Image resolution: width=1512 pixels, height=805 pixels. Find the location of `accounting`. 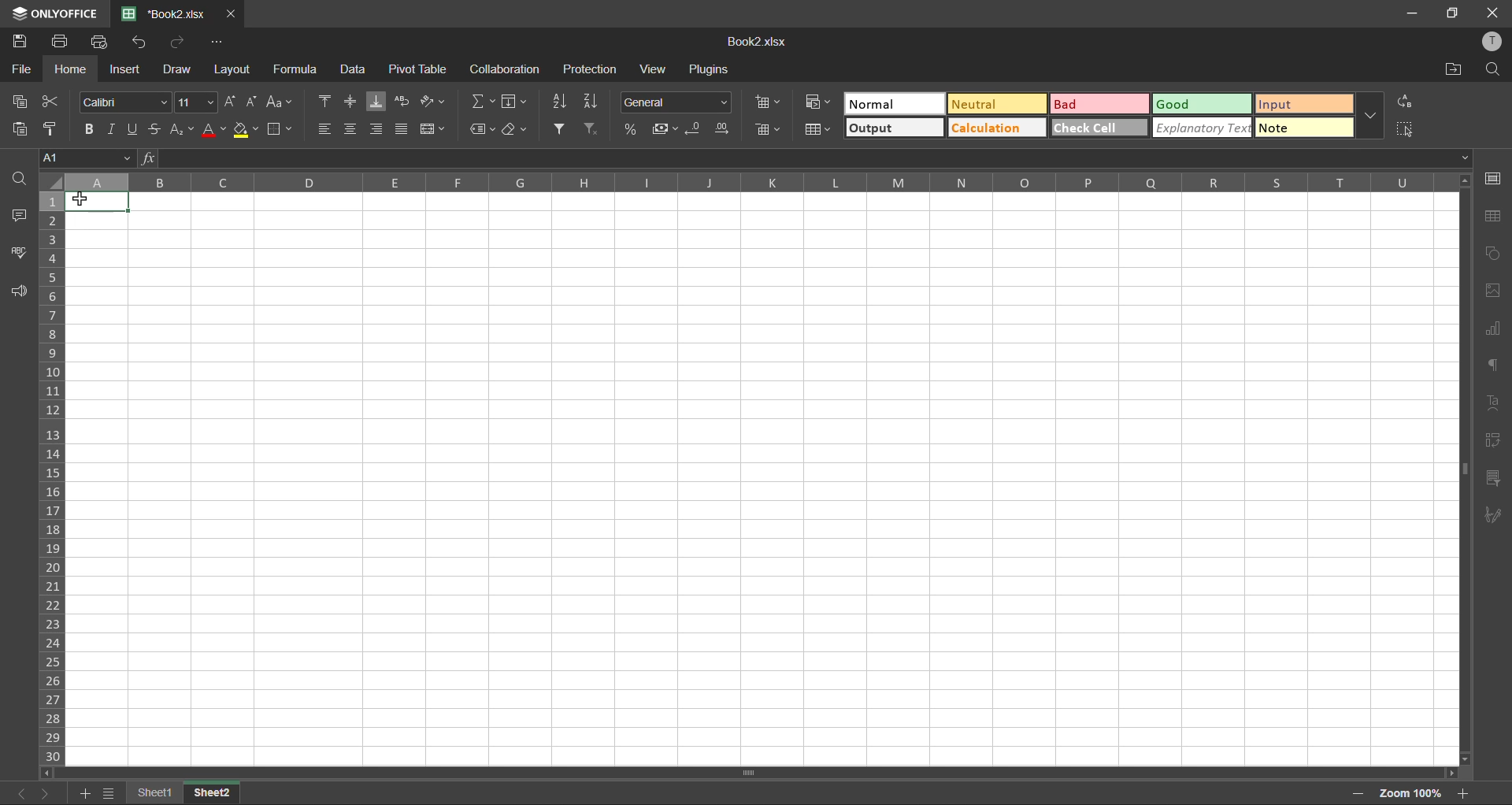

accounting is located at coordinates (668, 129).